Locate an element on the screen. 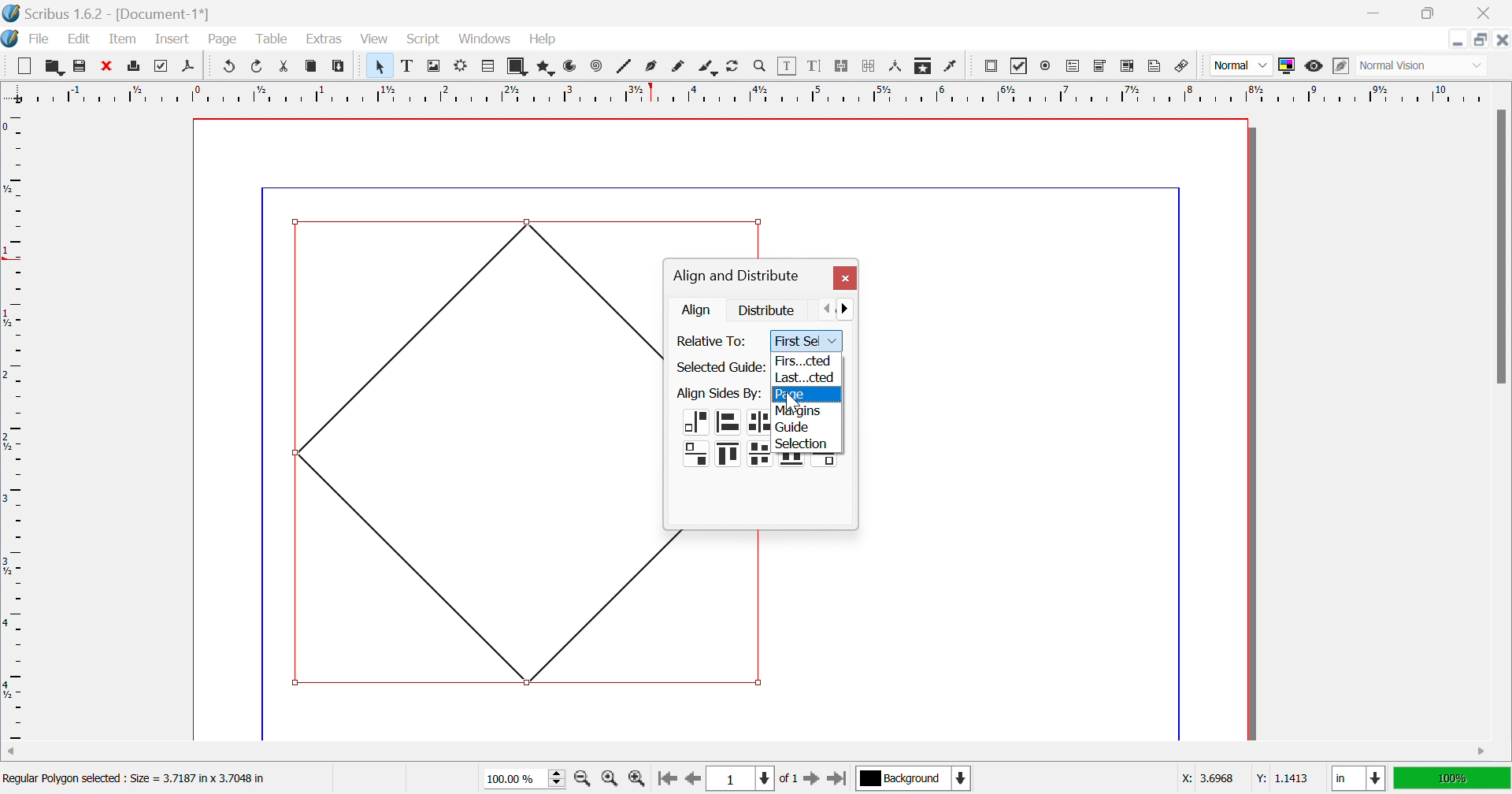 Image resolution: width=1512 pixels, height=794 pixels. Calligraphic line is located at coordinates (707, 69).